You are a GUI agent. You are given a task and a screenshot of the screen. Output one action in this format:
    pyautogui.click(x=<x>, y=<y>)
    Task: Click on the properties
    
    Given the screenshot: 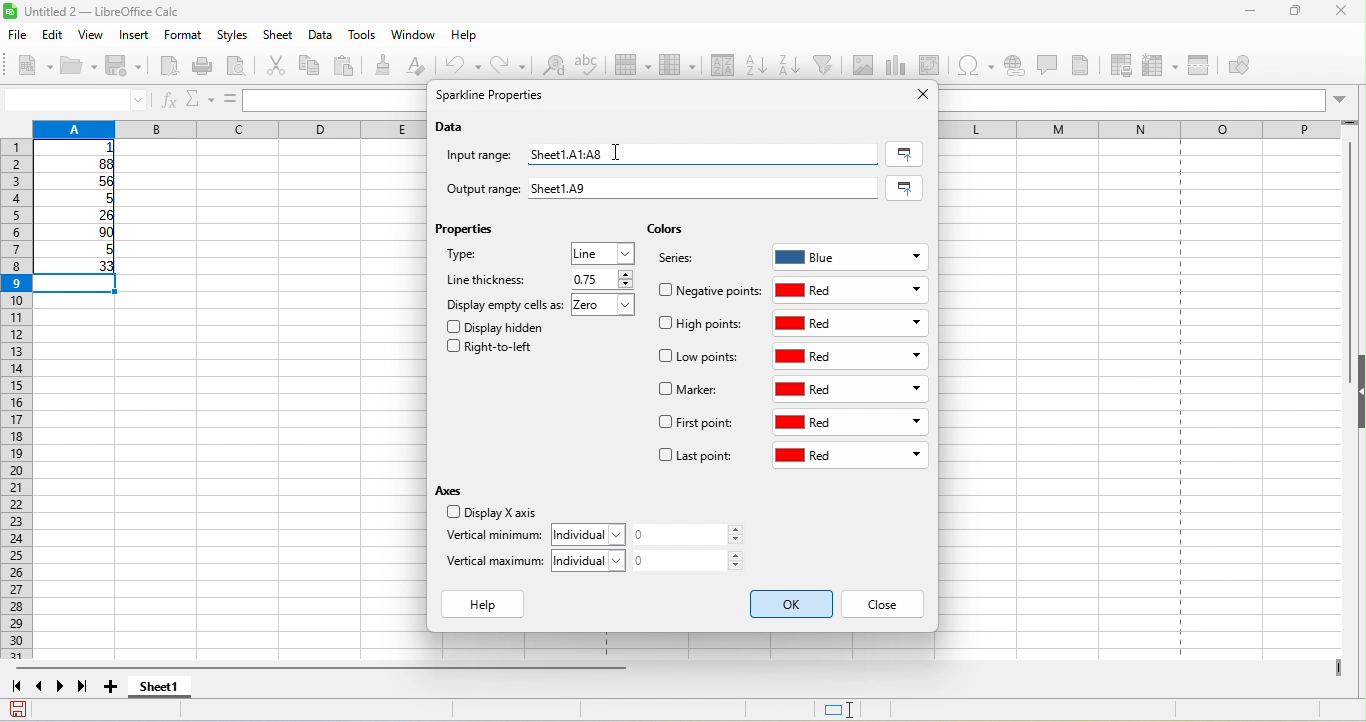 What is the action you would take?
    pyautogui.click(x=469, y=233)
    